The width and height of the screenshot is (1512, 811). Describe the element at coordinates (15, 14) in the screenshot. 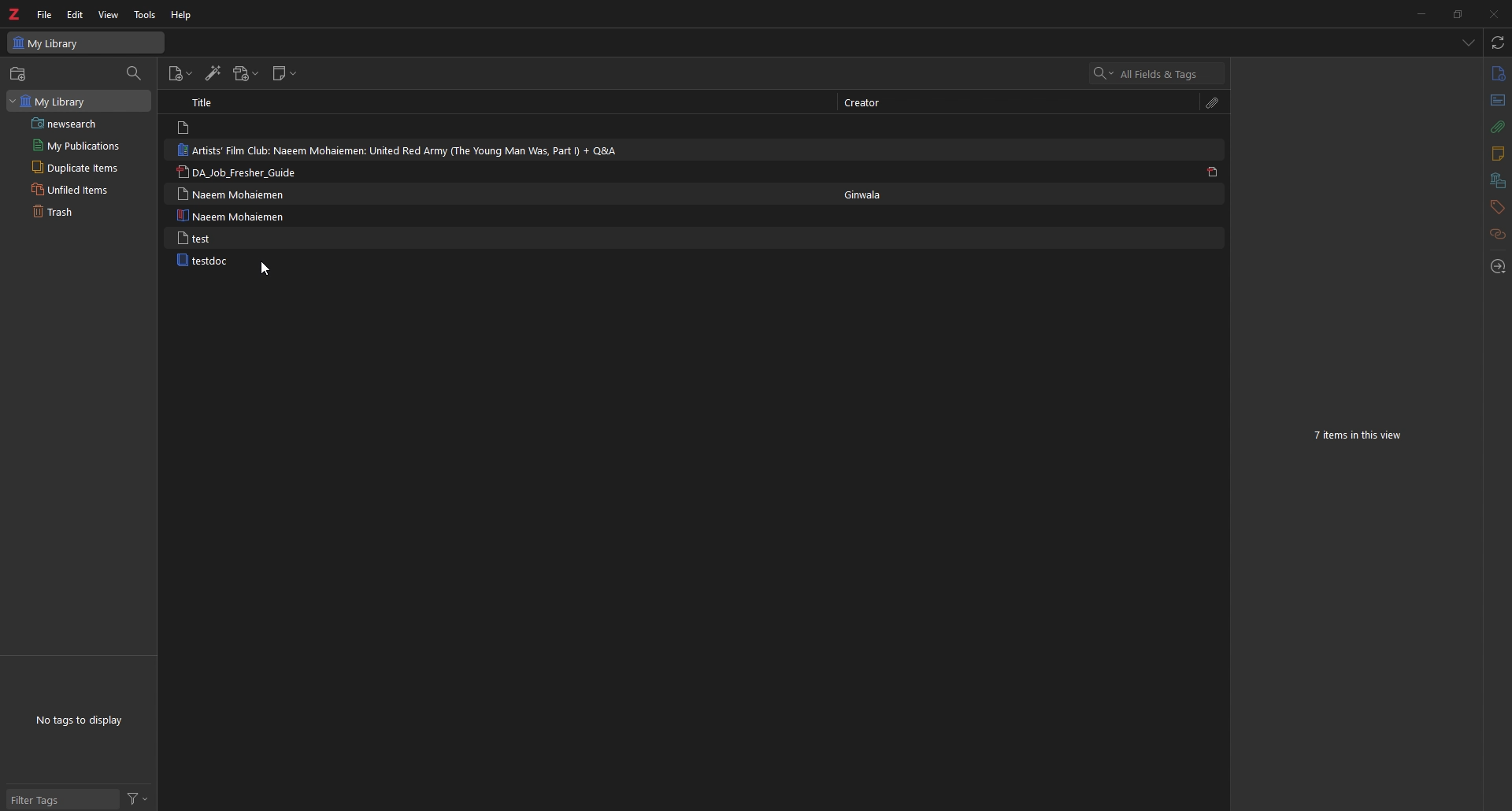

I see `logo` at that location.